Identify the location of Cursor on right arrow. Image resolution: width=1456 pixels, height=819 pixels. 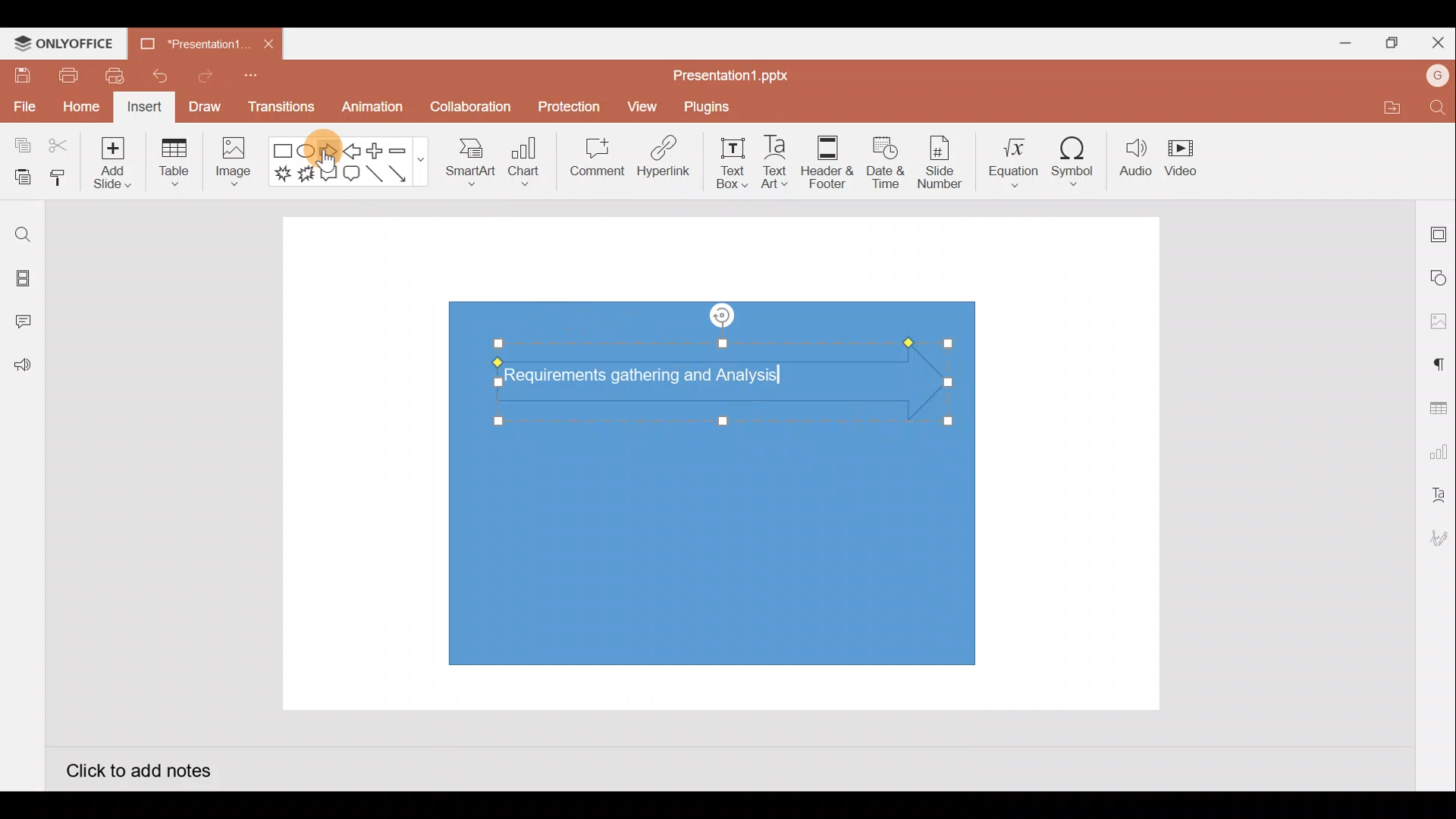
(328, 137).